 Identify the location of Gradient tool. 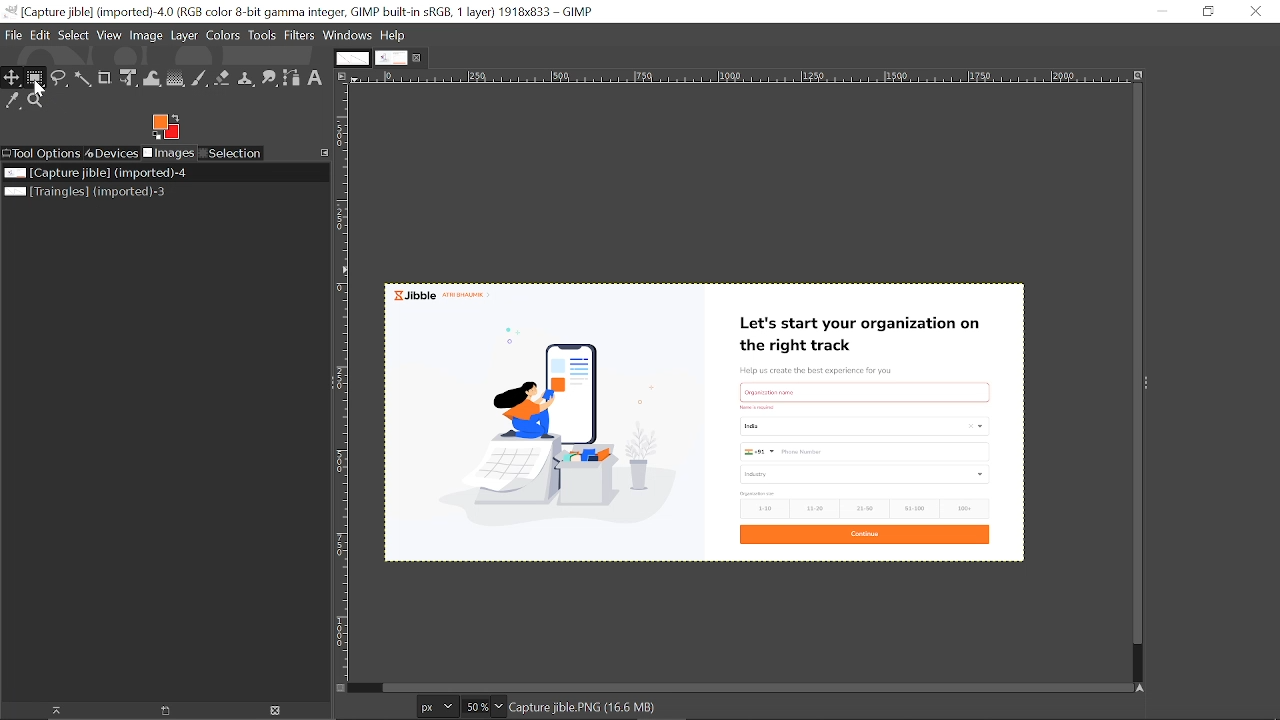
(176, 78).